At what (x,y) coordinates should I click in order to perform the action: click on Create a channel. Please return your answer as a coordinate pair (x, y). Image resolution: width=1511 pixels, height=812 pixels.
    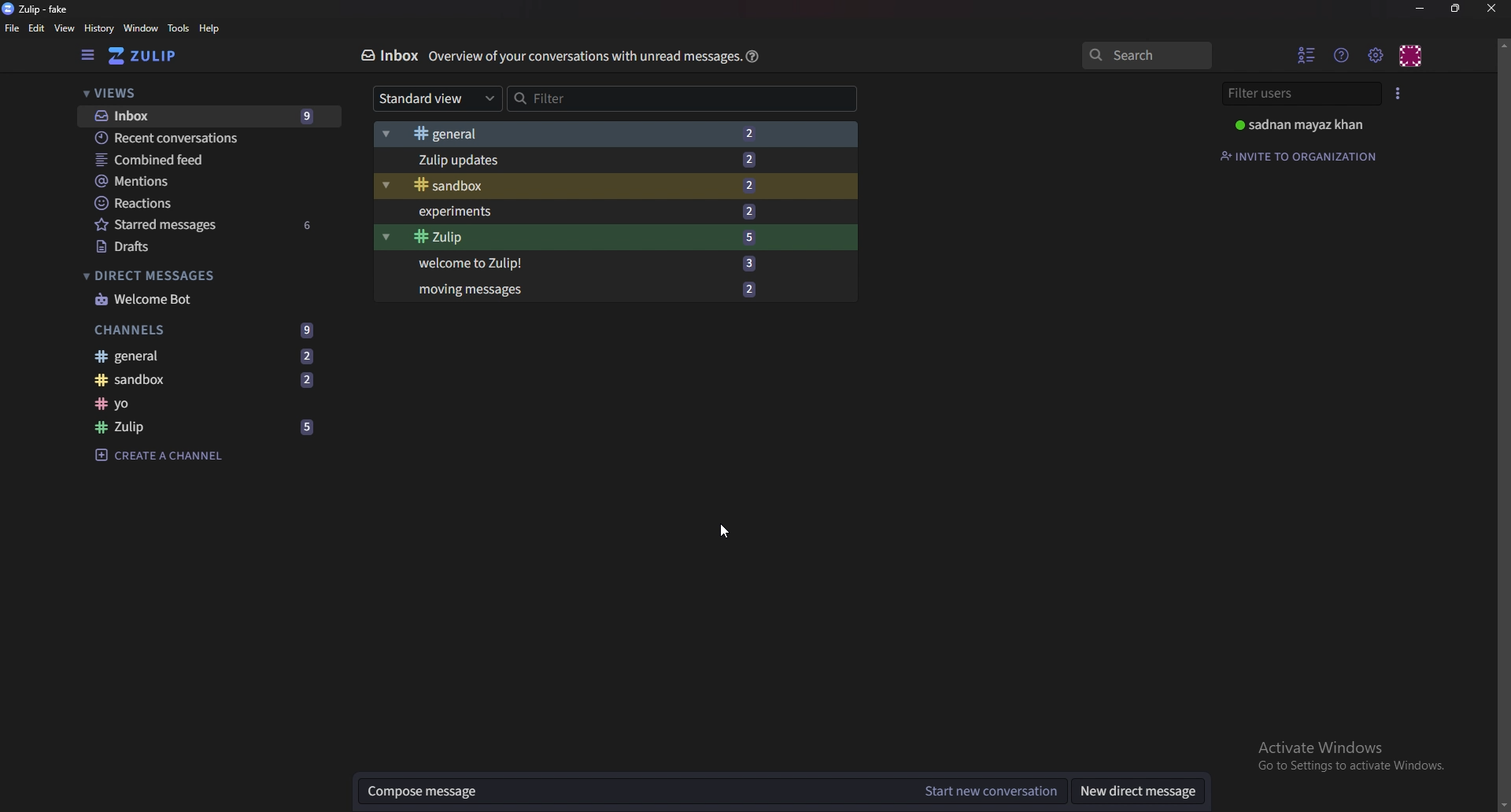
    Looking at the image, I should click on (172, 456).